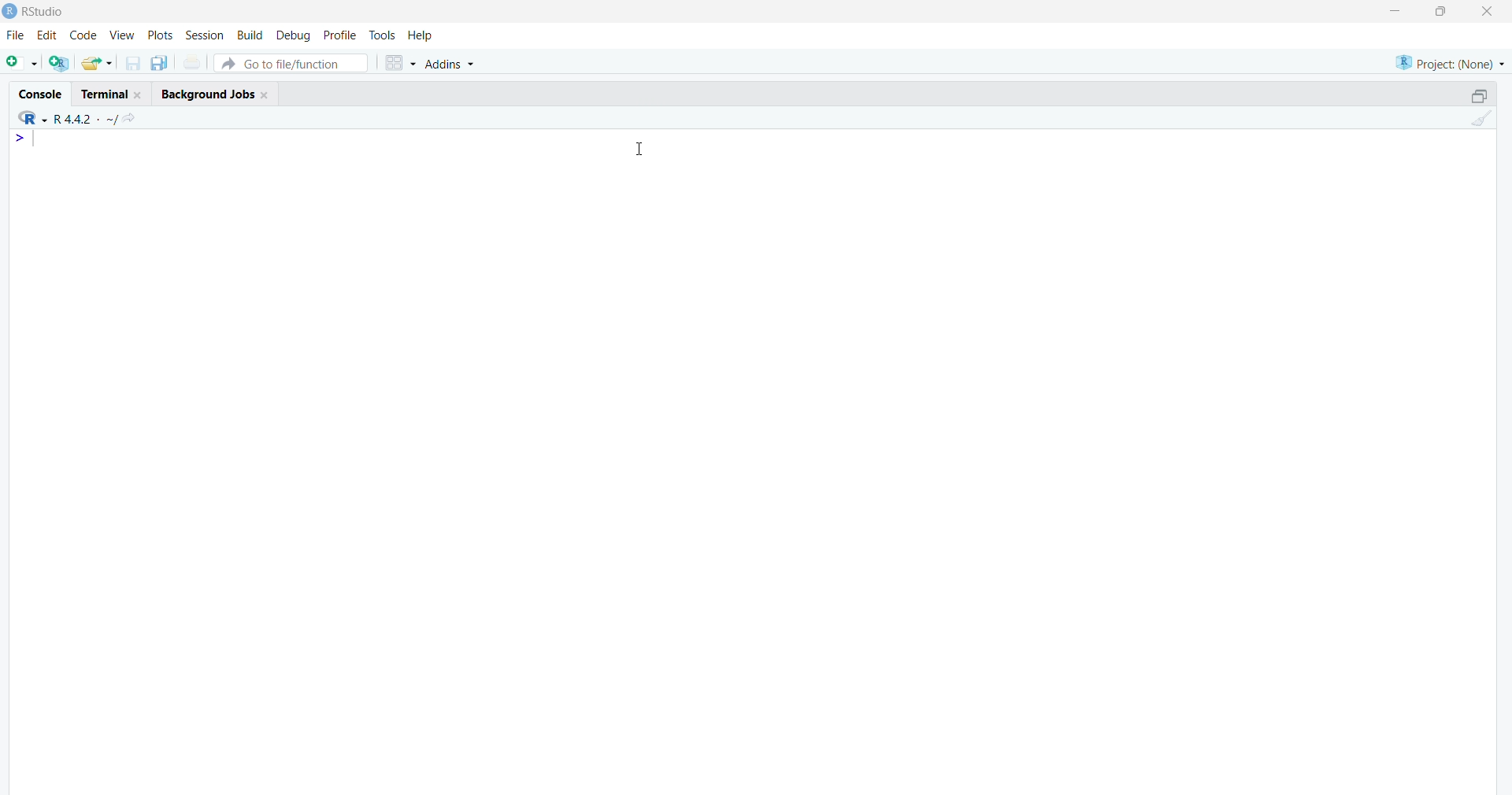  What do you see at coordinates (109, 92) in the screenshot?
I see `Terminal` at bounding box center [109, 92].